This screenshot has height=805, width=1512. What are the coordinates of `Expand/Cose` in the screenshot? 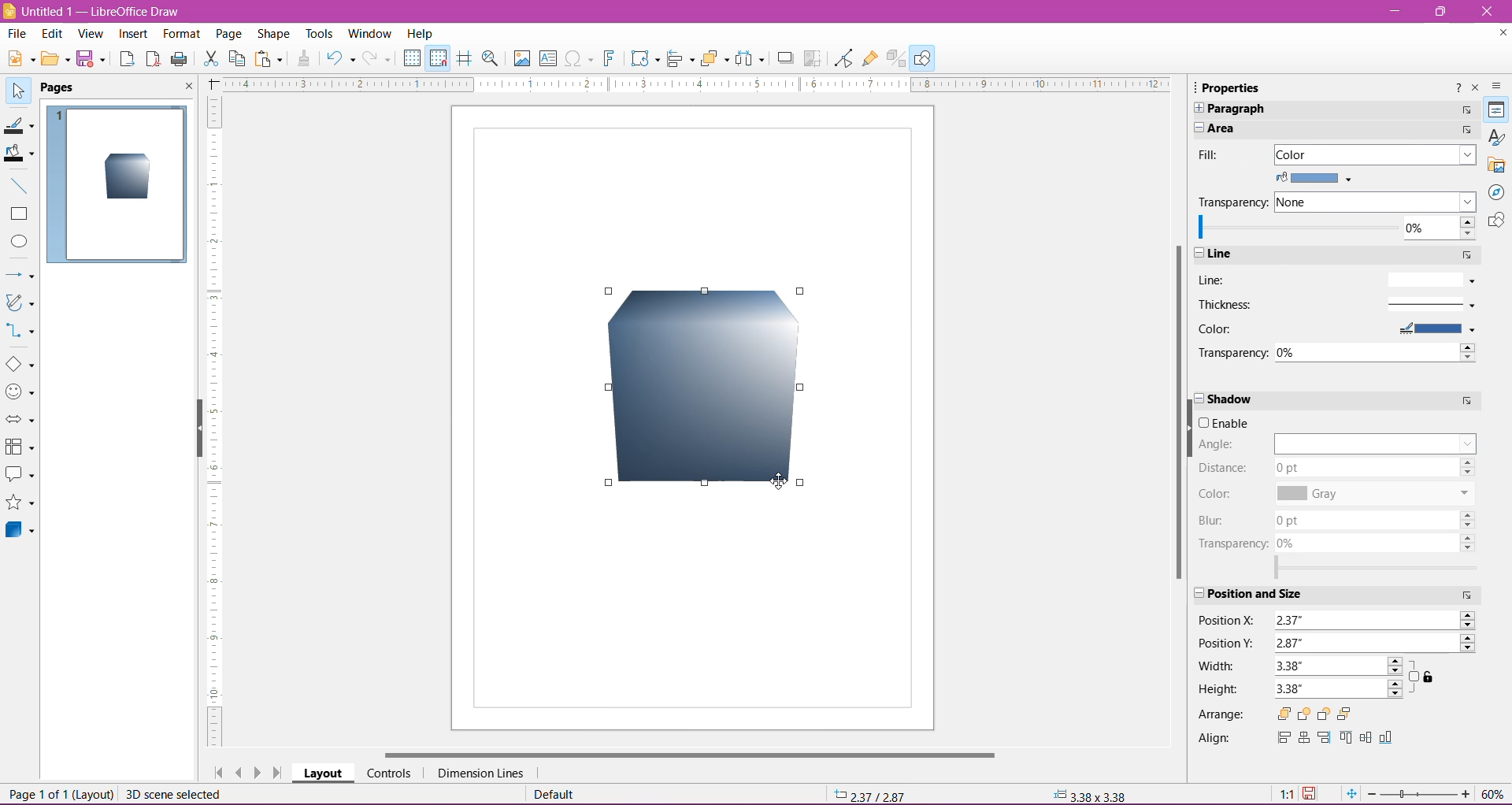 It's located at (1195, 590).